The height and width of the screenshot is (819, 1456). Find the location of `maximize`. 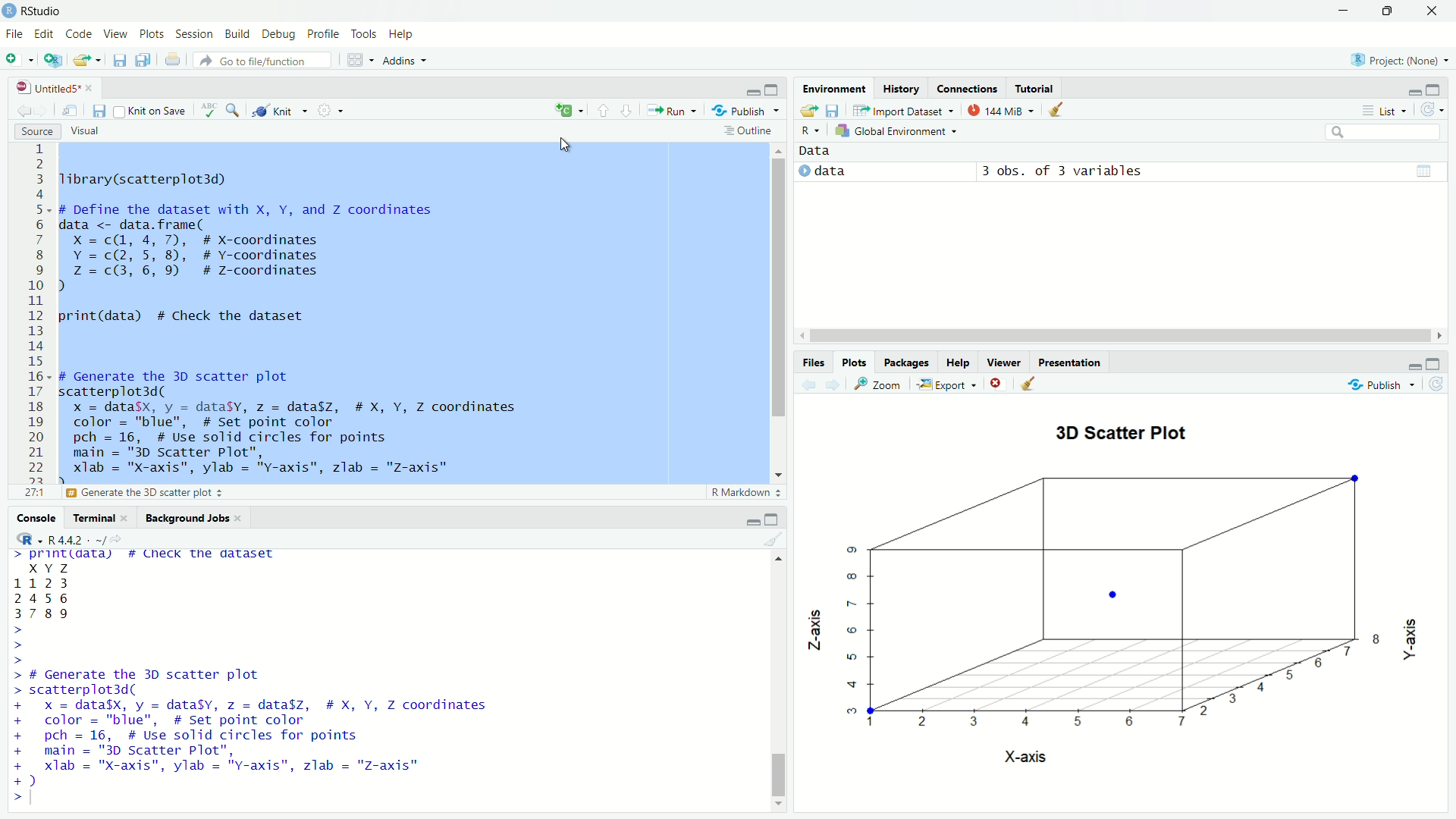

maximize is located at coordinates (773, 89).